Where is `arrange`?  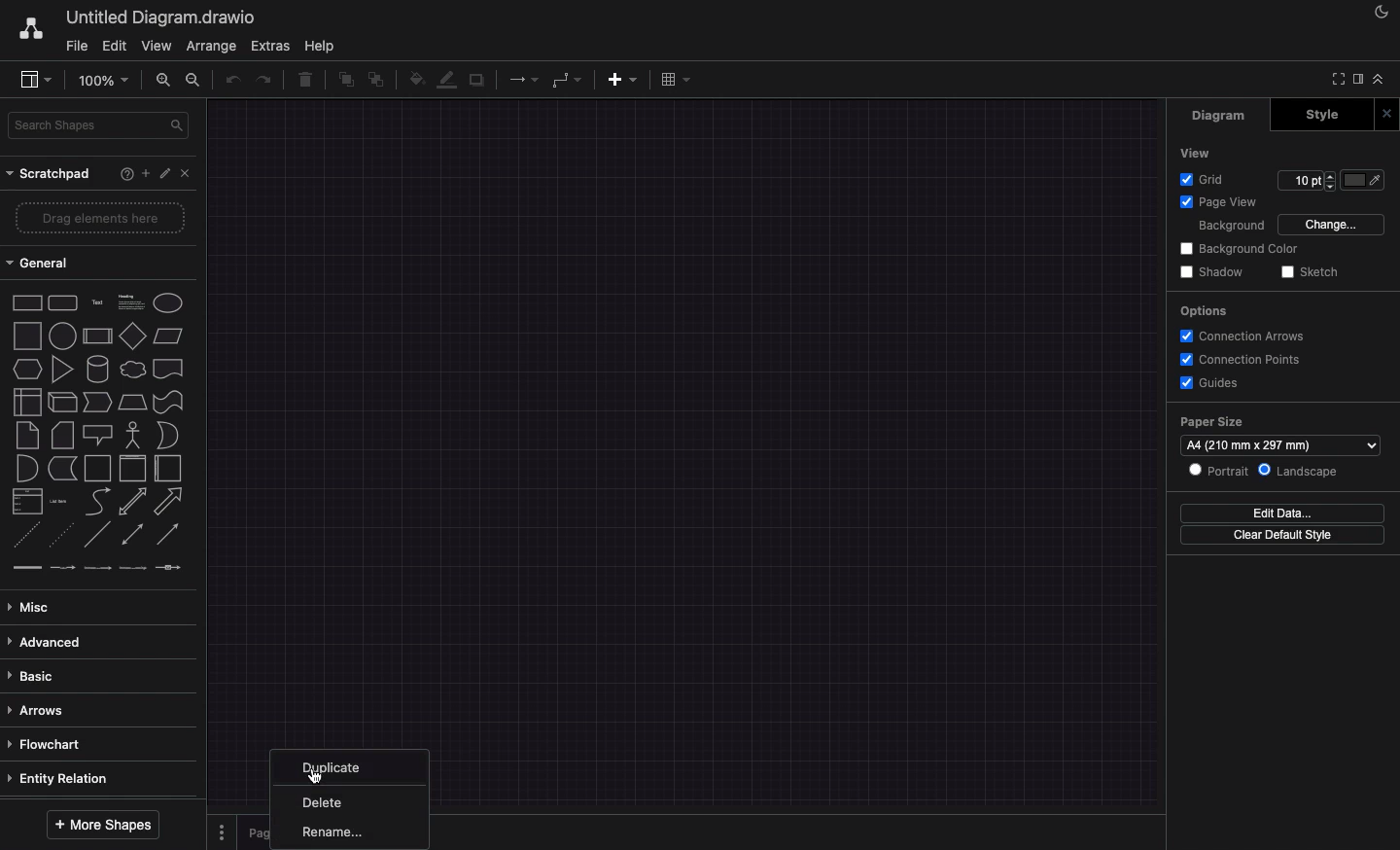 arrange is located at coordinates (211, 46).